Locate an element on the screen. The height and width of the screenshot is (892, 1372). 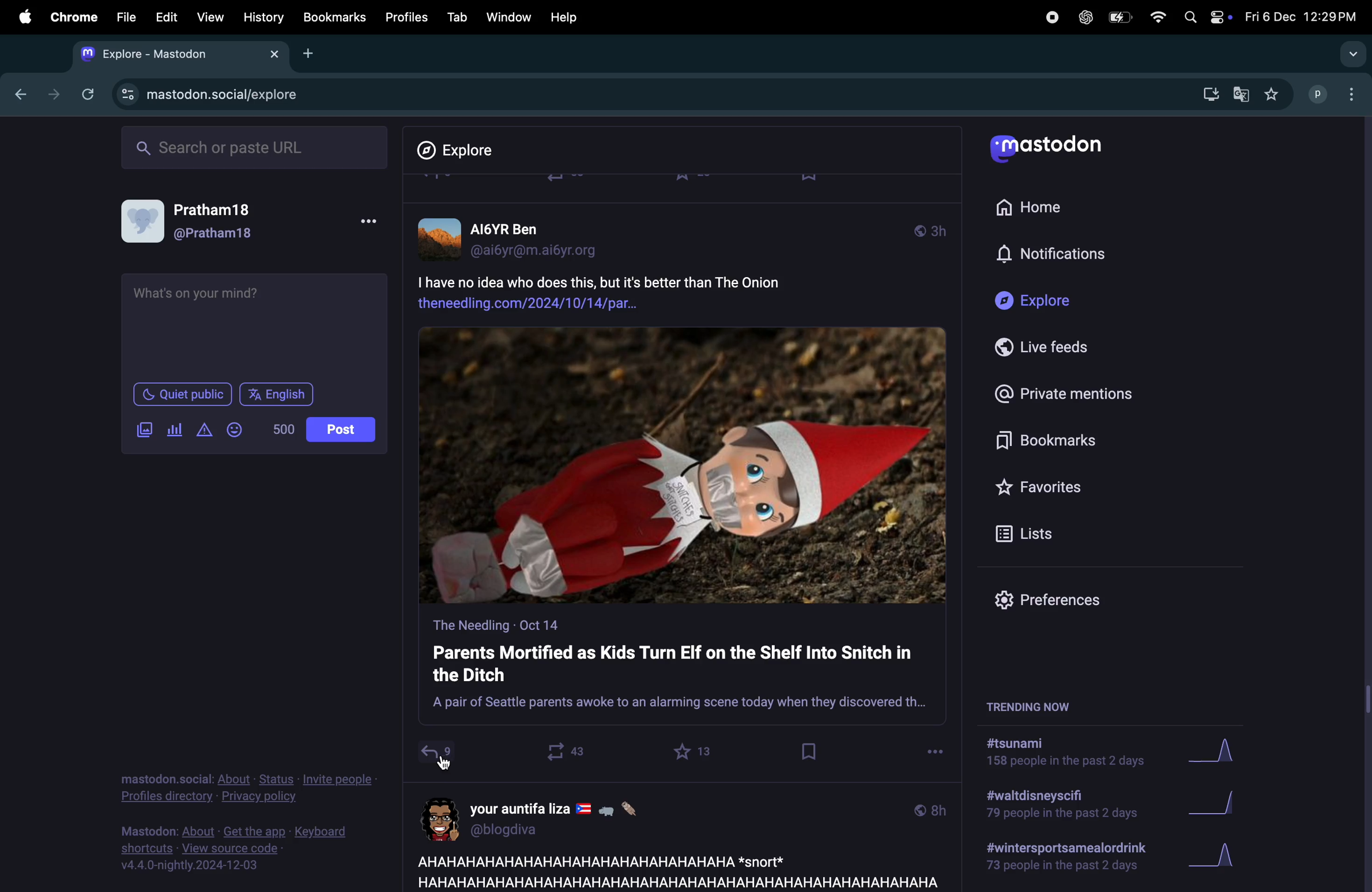
privacy policy is located at coordinates (248, 790).